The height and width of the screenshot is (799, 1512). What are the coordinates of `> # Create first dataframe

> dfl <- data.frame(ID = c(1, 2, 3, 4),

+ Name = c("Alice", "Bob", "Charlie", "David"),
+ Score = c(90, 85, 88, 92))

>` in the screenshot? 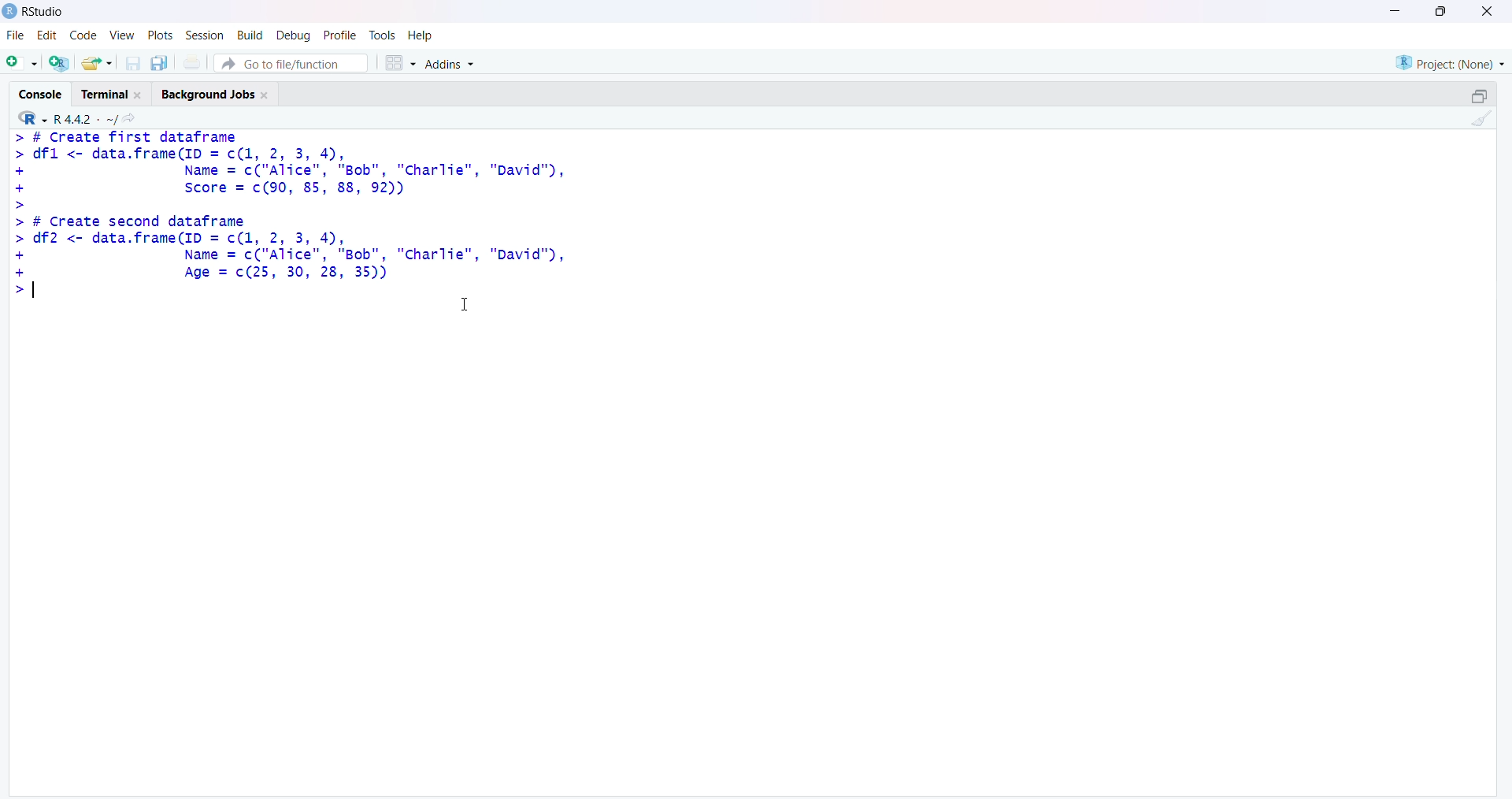 It's located at (290, 170).